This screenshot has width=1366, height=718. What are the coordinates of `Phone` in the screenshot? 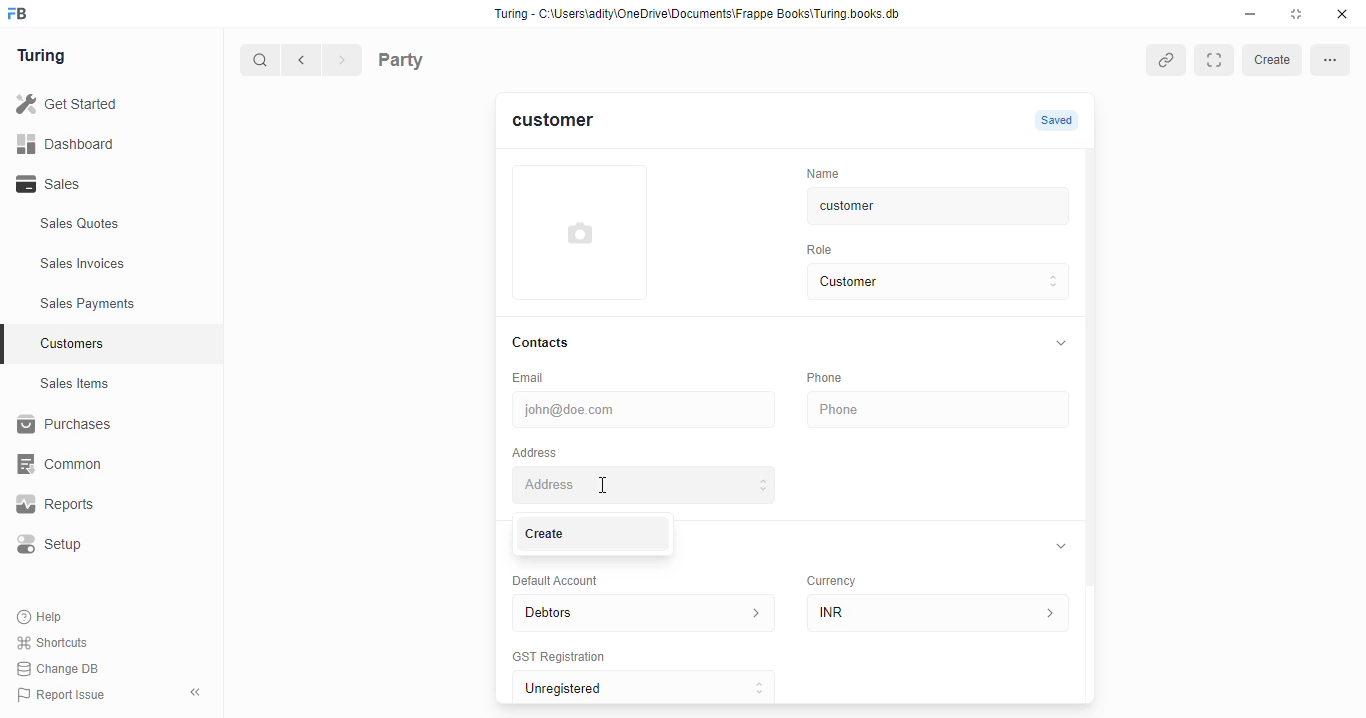 It's located at (822, 377).